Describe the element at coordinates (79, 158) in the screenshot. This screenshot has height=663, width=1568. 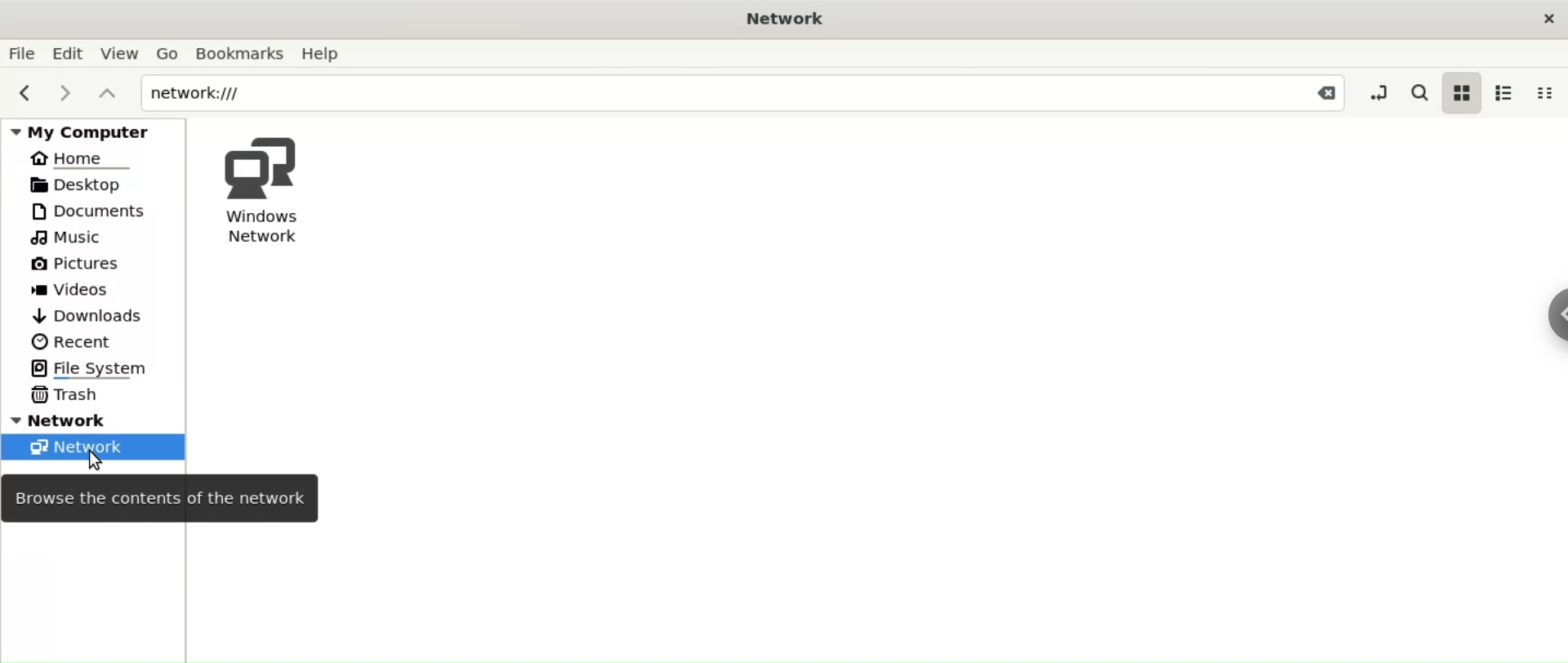
I see `Home` at that location.